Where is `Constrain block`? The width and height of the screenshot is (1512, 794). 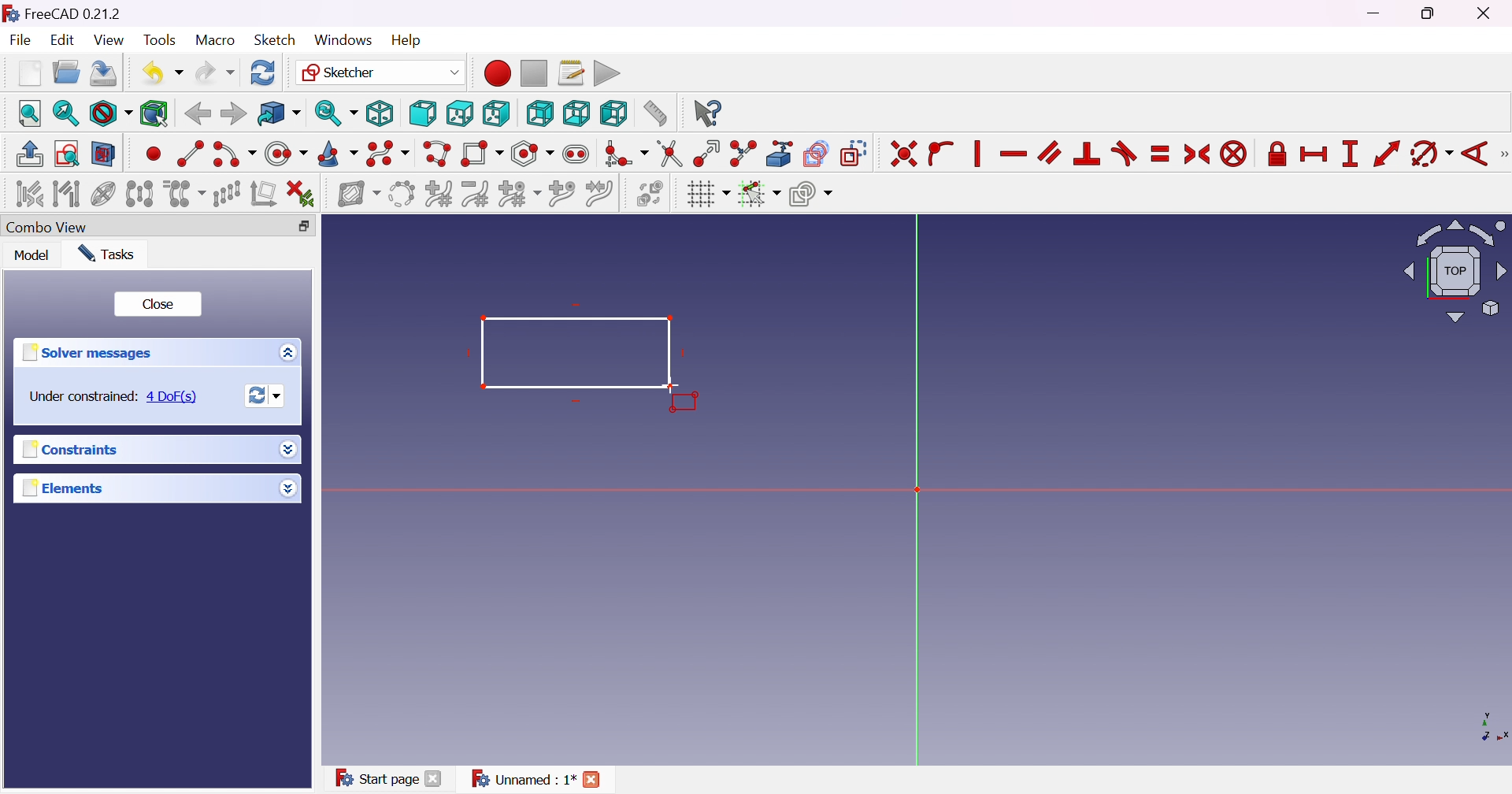
Constrain block is located at coordinates (1234, 155).